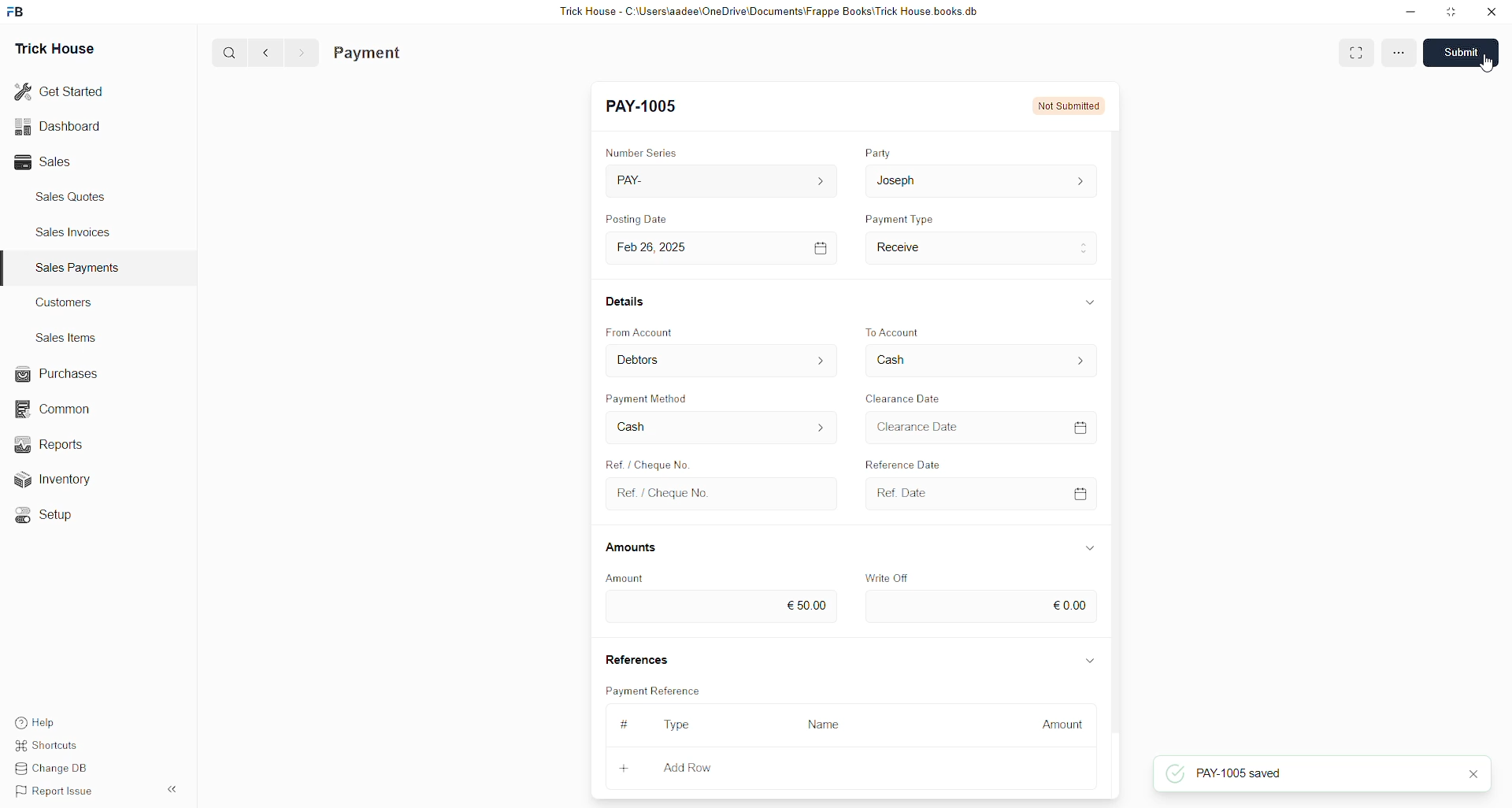  What do you see at coordinates (60, 410) in the screenshot?
I see `Common` at bounding box center [60, 410].